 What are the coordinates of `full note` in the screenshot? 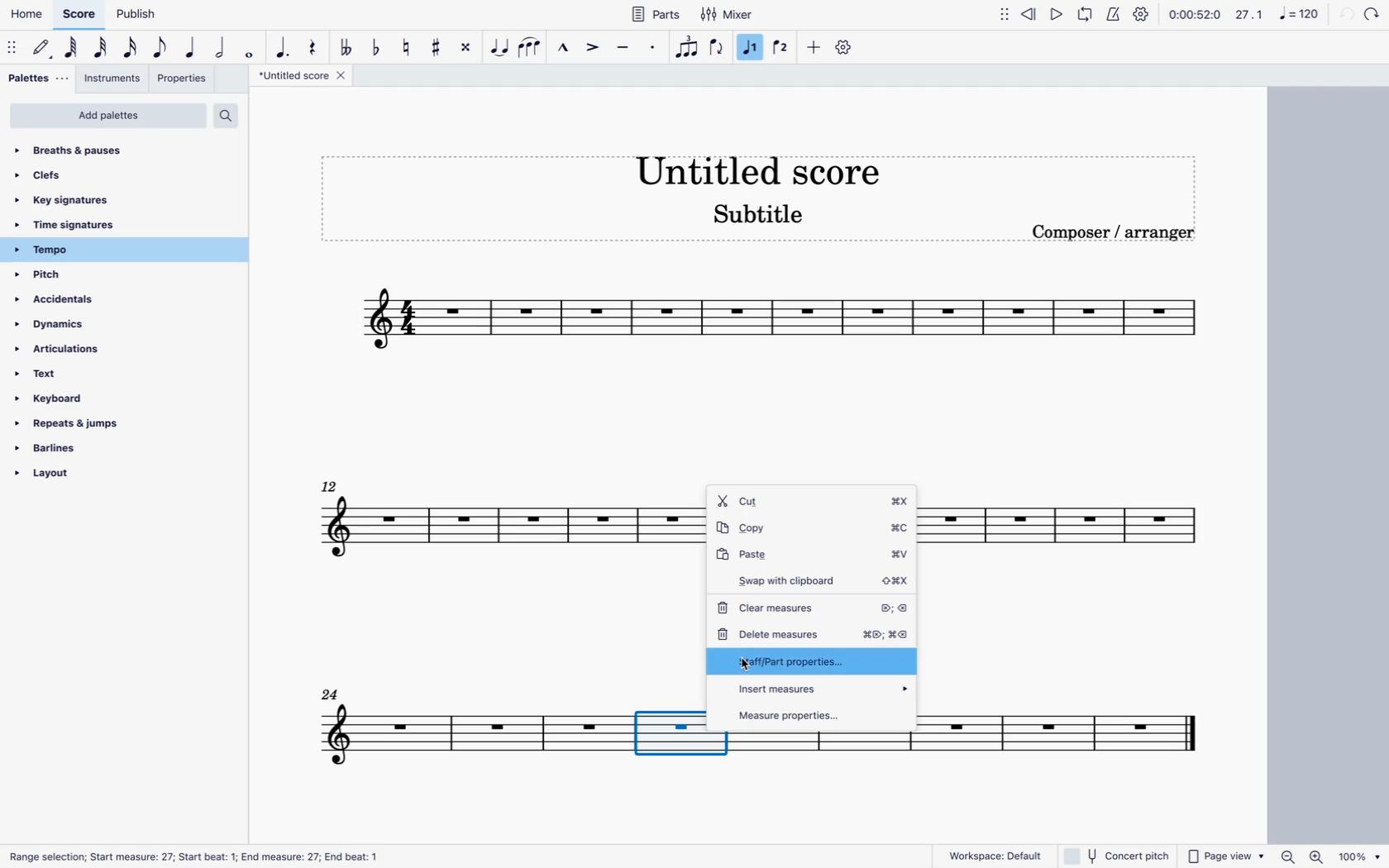 It's located at (250, 48).